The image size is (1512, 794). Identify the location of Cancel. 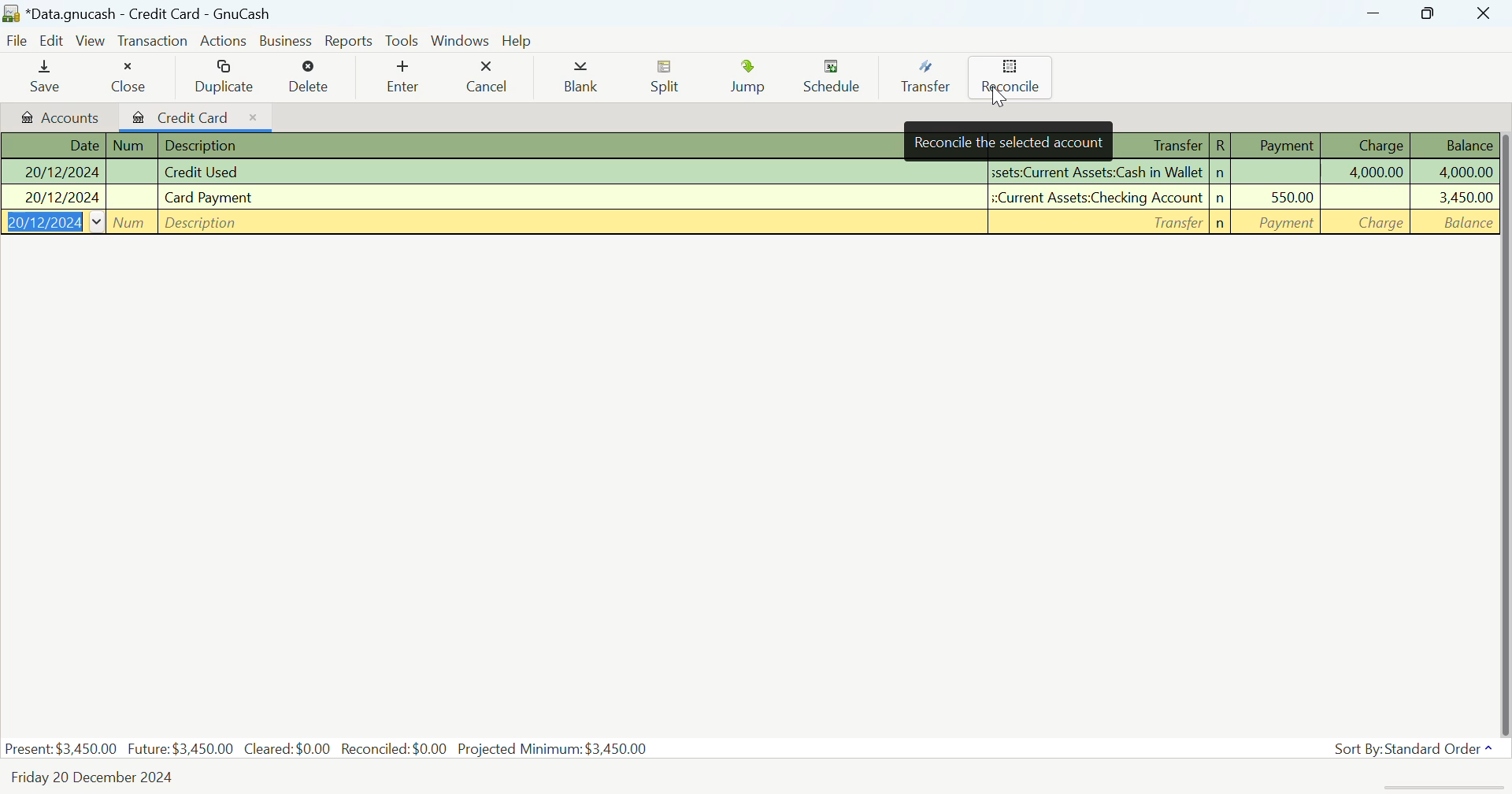
(491, 78).